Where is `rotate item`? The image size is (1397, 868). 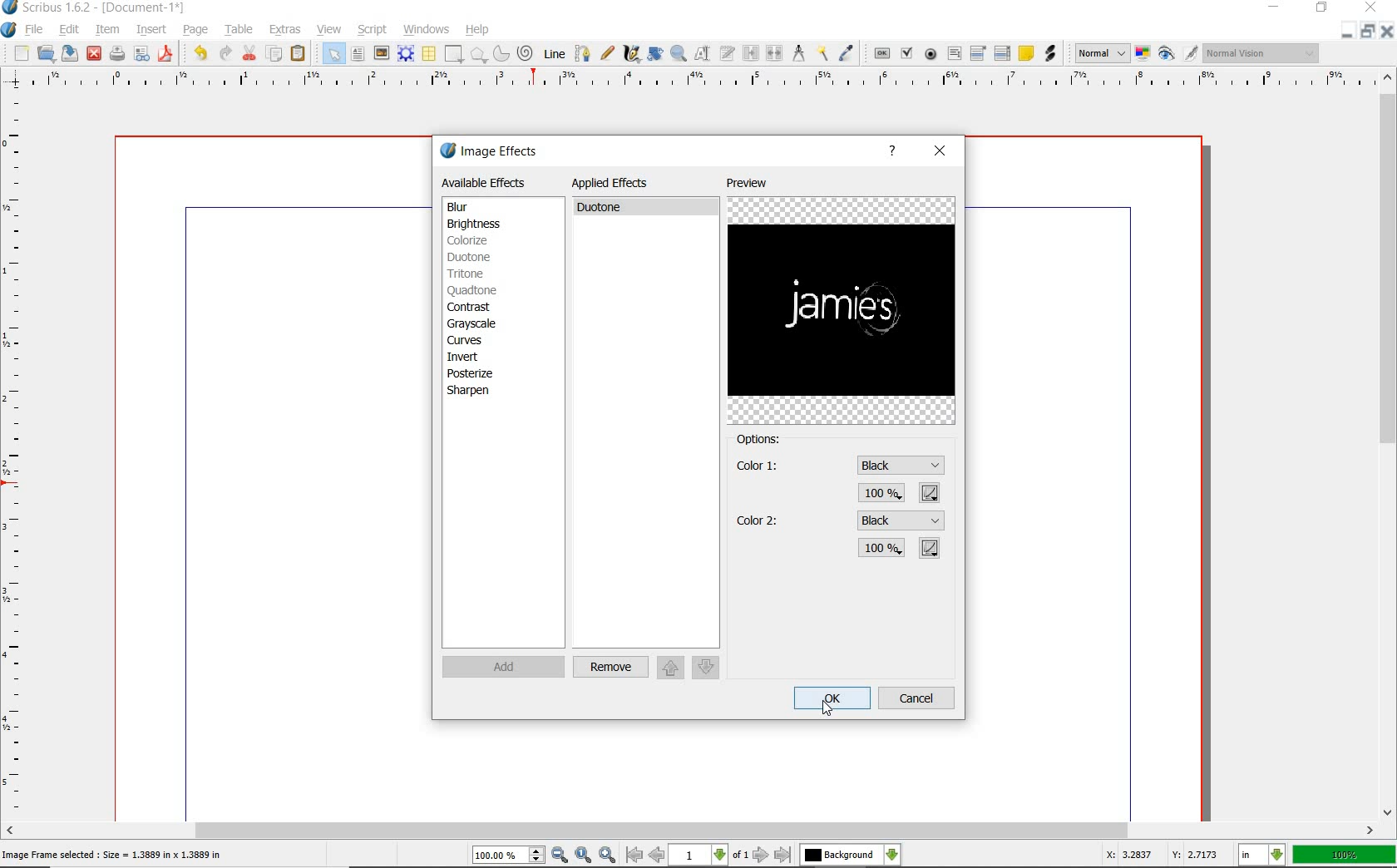
rotate item is located at coordinates (656, 54).